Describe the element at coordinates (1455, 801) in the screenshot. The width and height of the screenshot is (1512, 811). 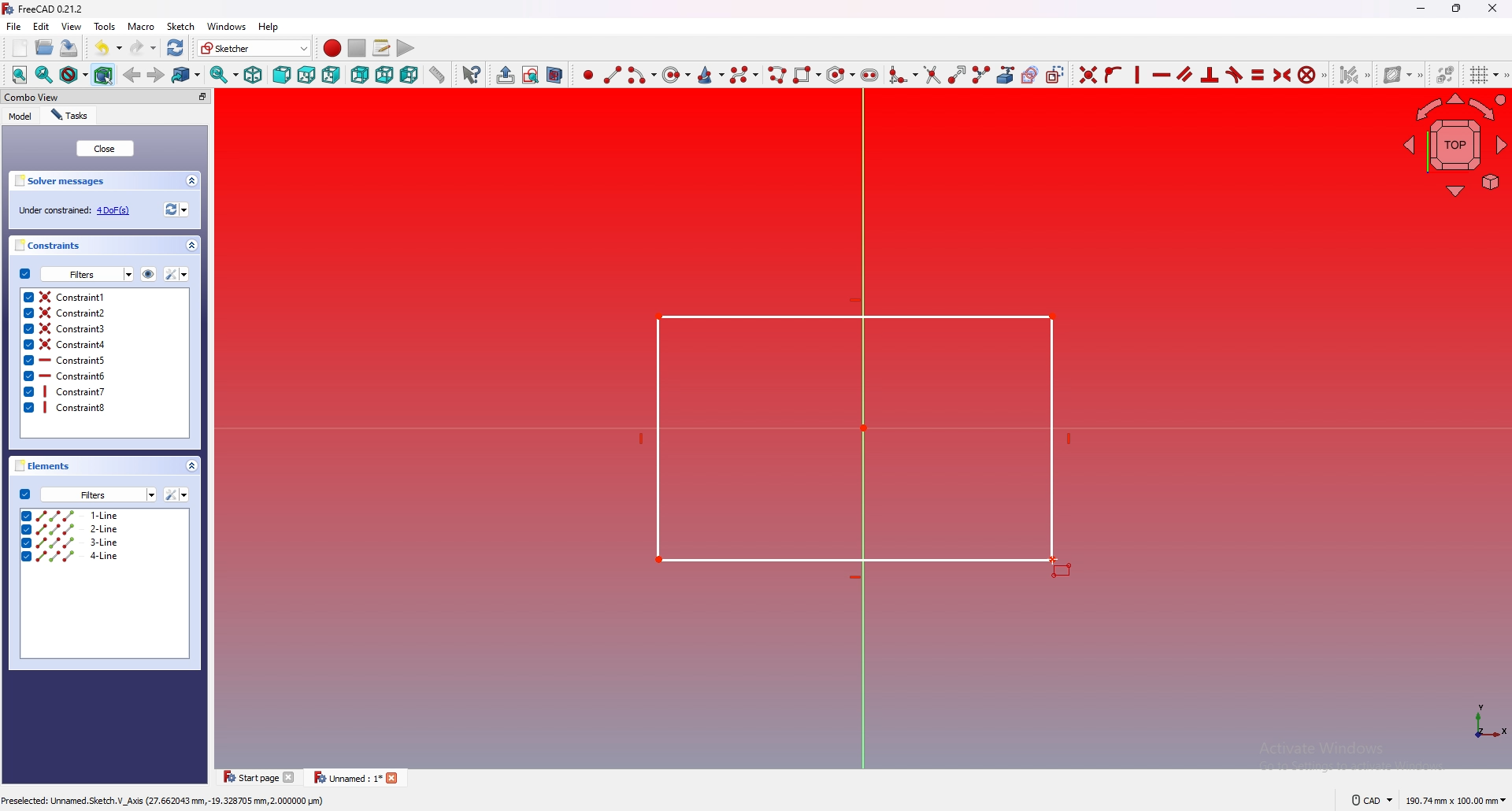
I see `dimensions` at that location.